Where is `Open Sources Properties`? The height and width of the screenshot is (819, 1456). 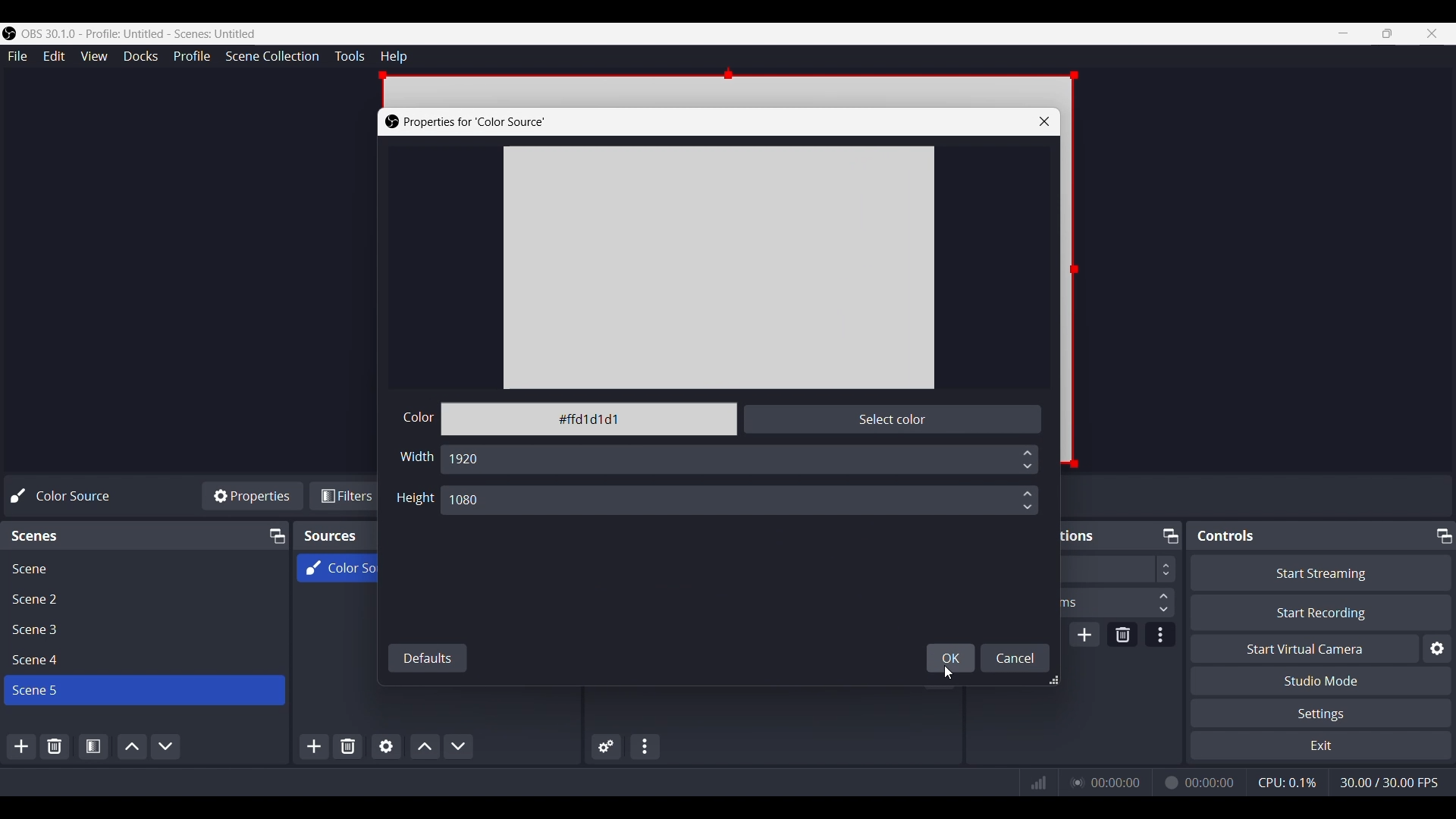
Open Sources Properties is located at coordinates (386, 745).